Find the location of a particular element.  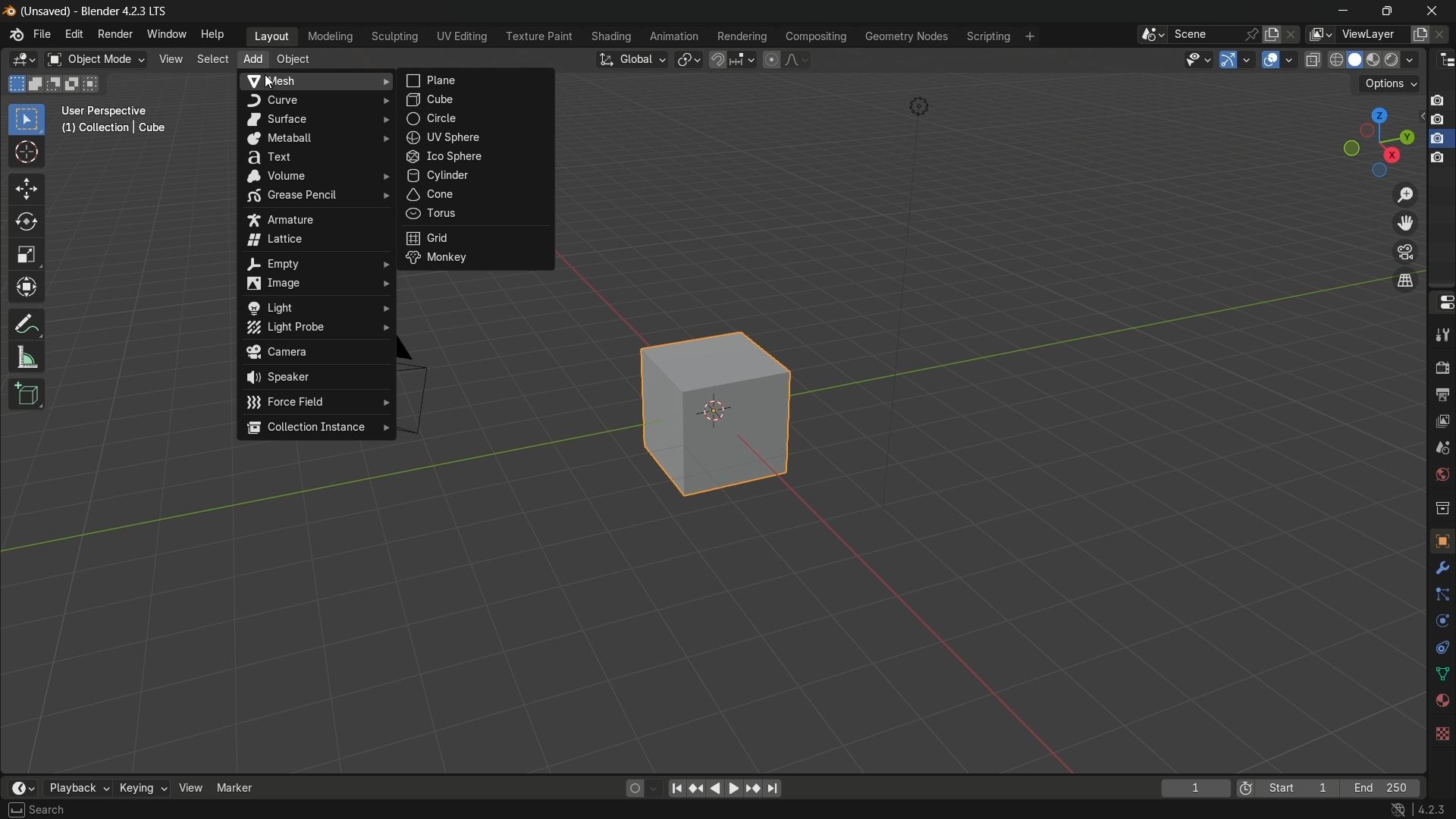

proportional editing fallout is located at coordinates (794, 59).